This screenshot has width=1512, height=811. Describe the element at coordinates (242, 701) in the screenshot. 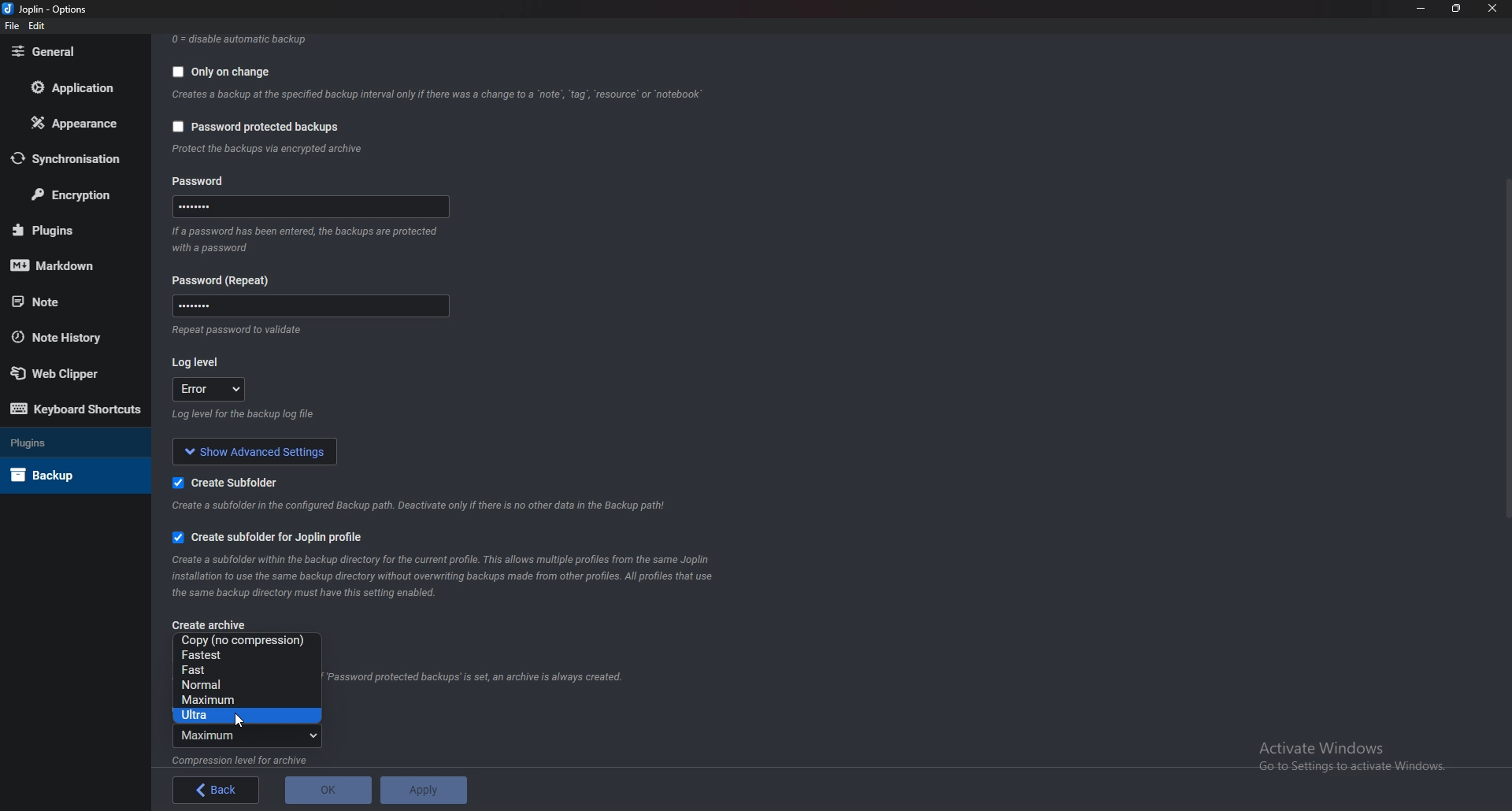

I see `Maximum` at that location.